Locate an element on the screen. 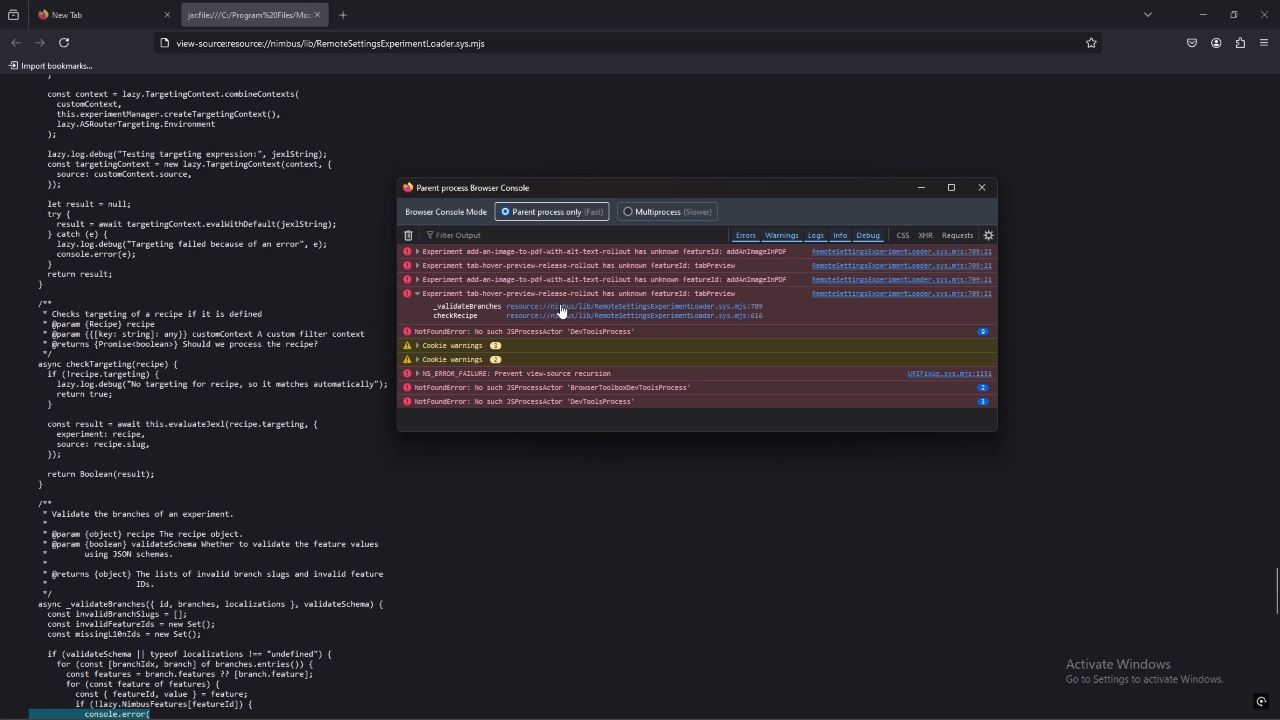 This screenshot has width=1280, height=720. source is located at coordinates (900, 252).